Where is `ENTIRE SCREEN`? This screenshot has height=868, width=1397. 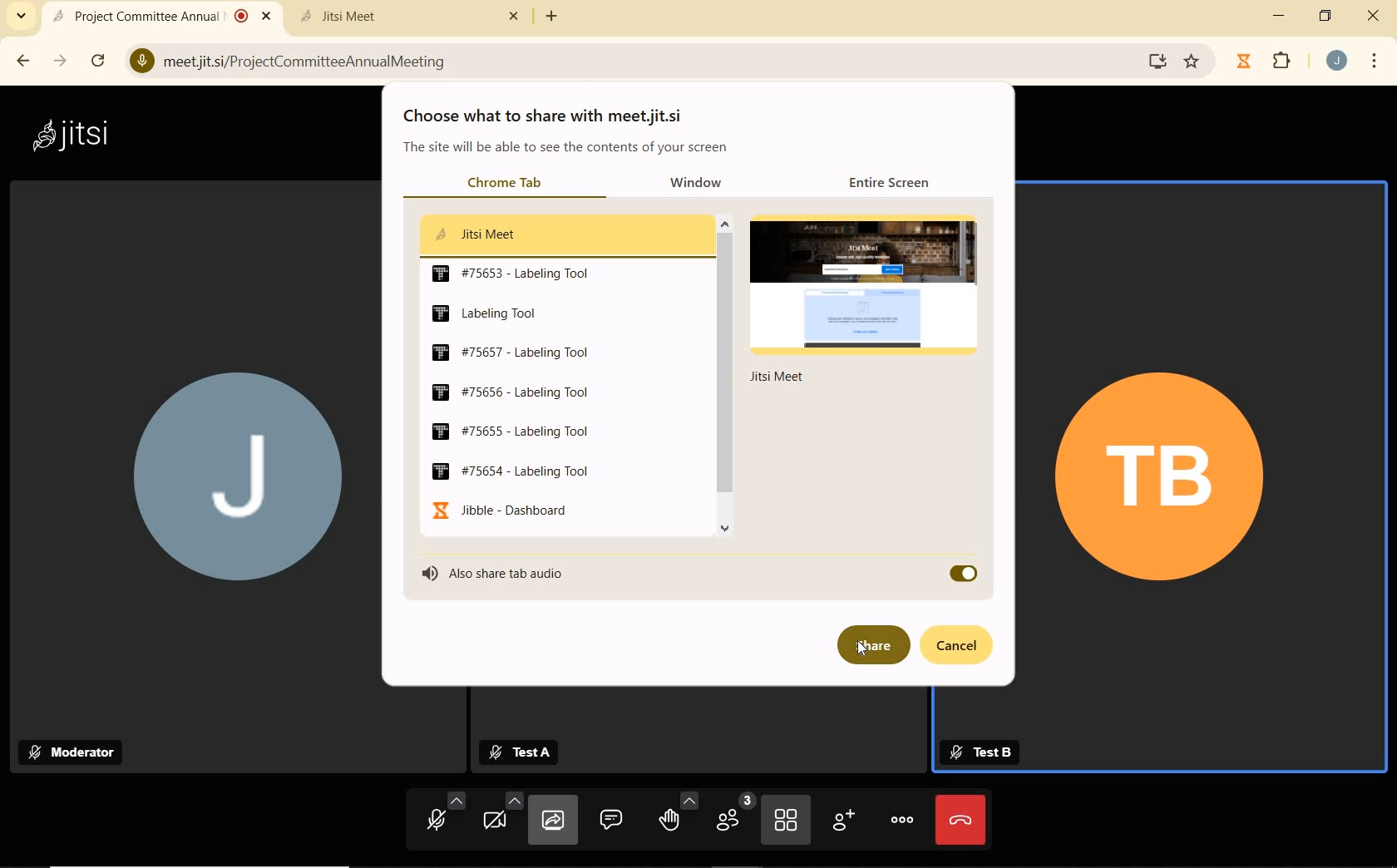 ENTIRE SCREEN is located at coordinates (895, 181).